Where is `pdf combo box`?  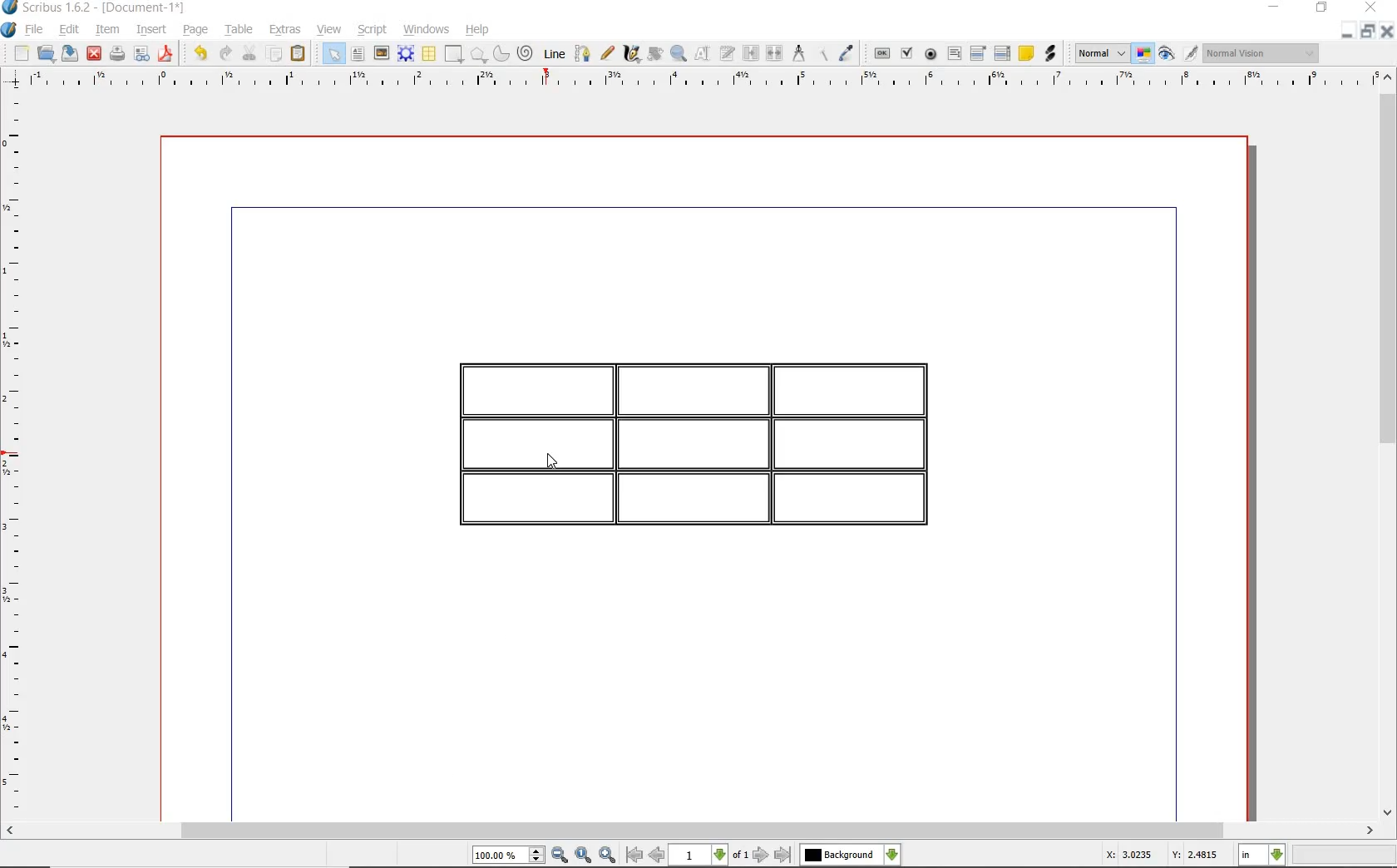 pdf combo box is located at coordinates (978, 54).